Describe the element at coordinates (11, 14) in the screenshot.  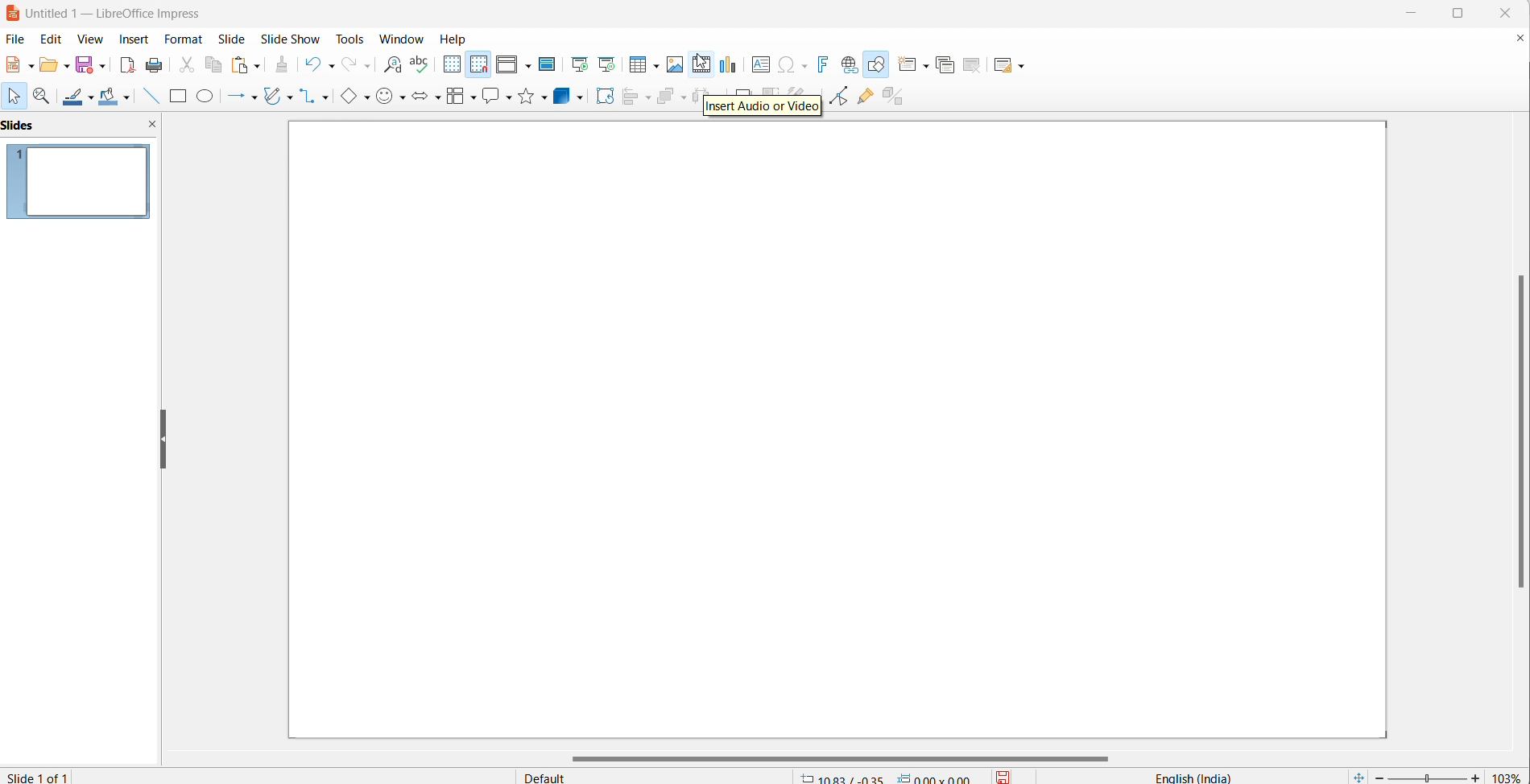
I see `logo` at that location.